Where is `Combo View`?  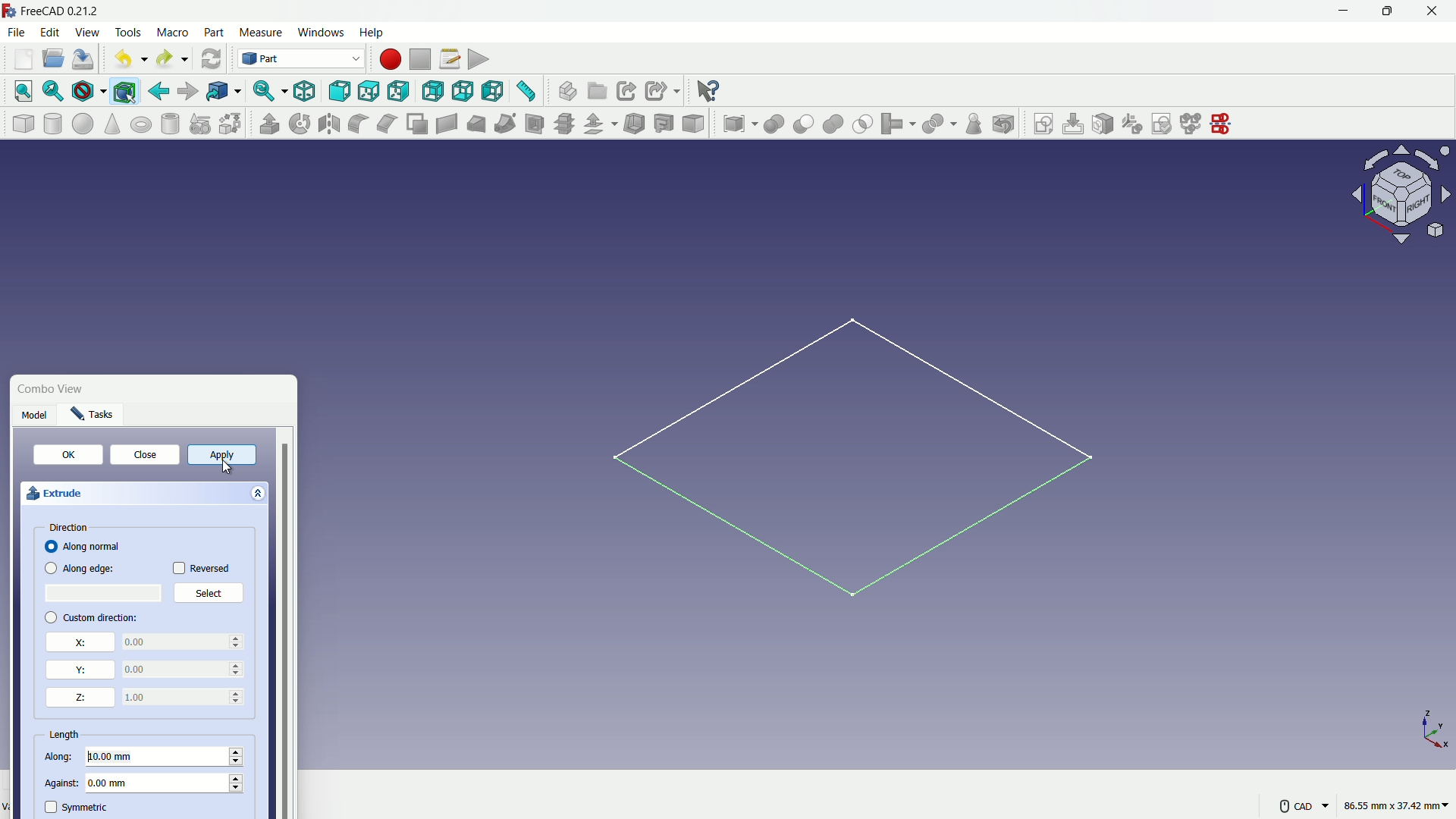 Combo View is located at coordinates (52, 388).